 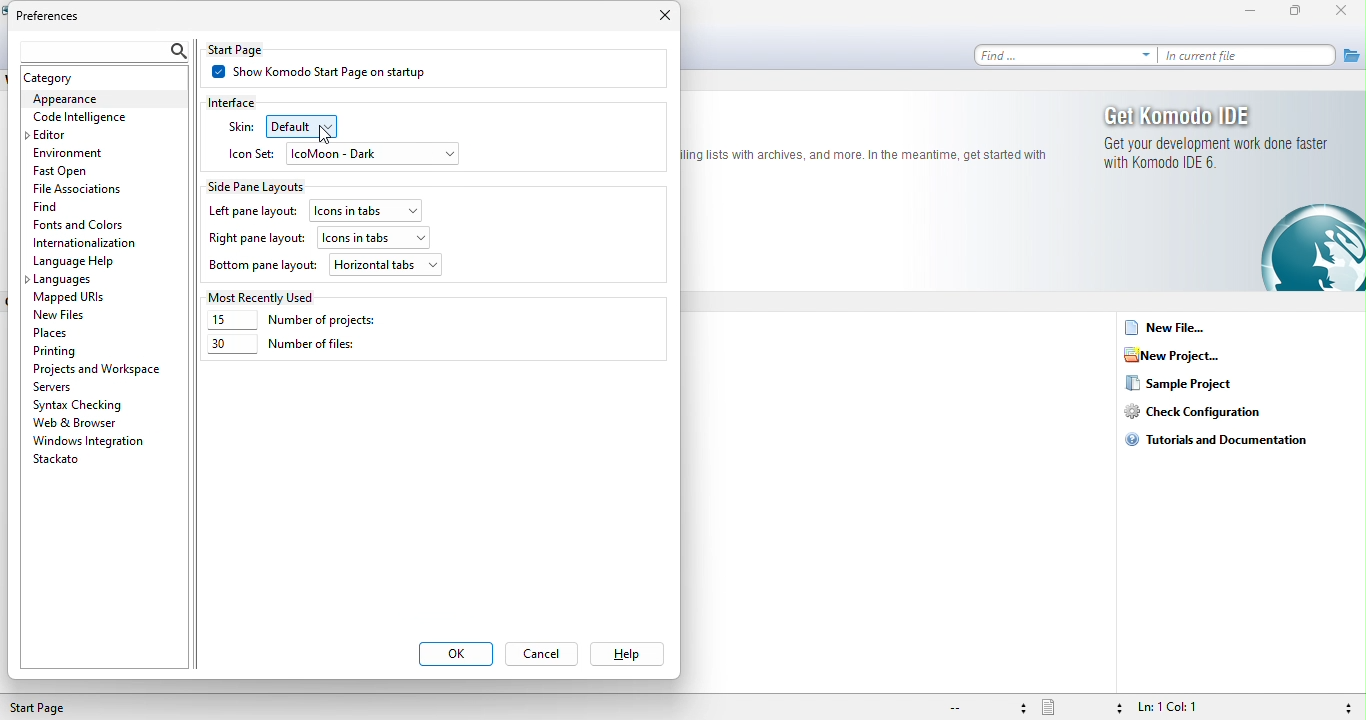 What do you see at coordinates (60, 135) in the screenshot?
I see `editor` at bounding box center [60, 135].